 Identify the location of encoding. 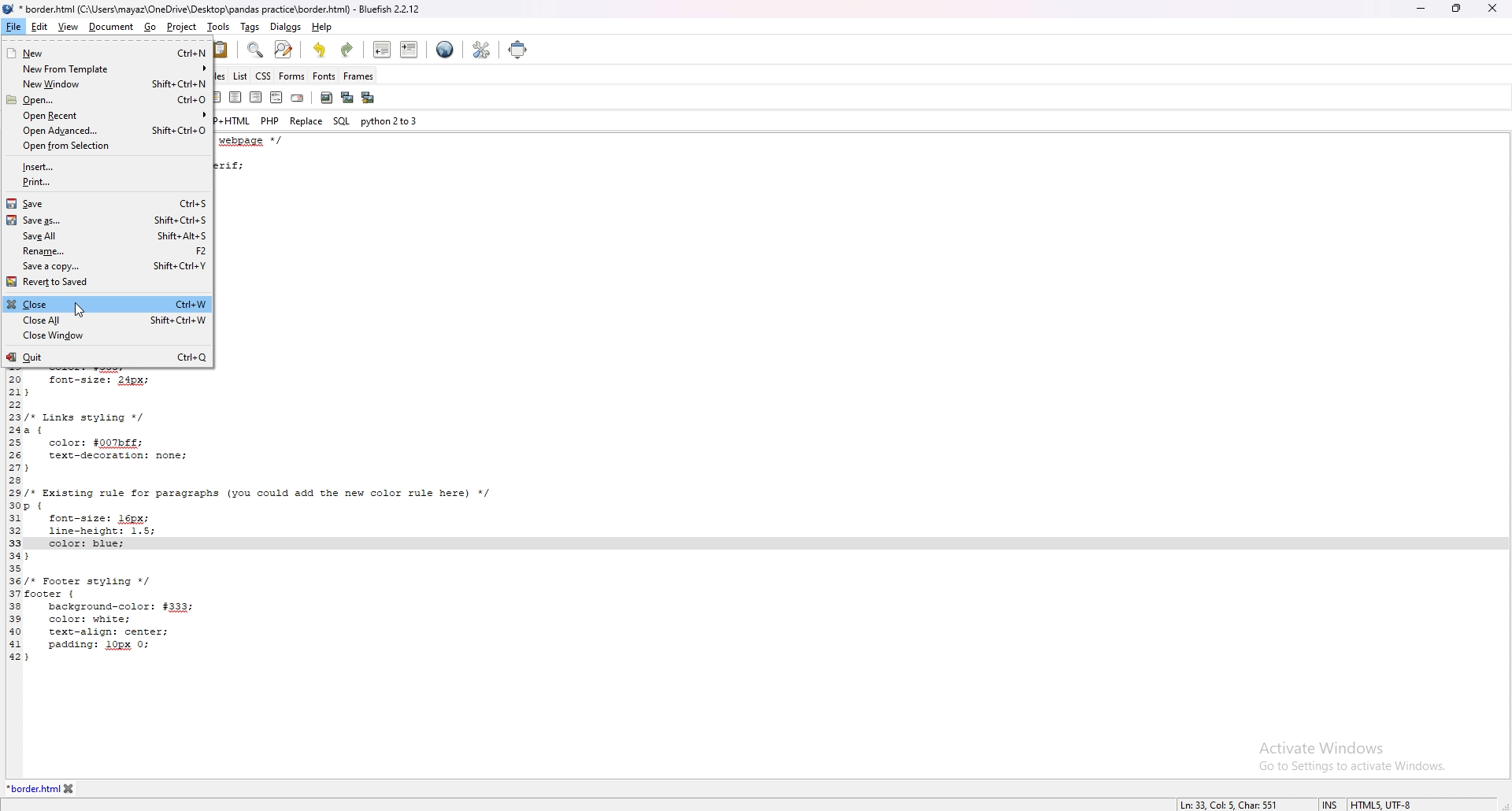
(1384, 802).